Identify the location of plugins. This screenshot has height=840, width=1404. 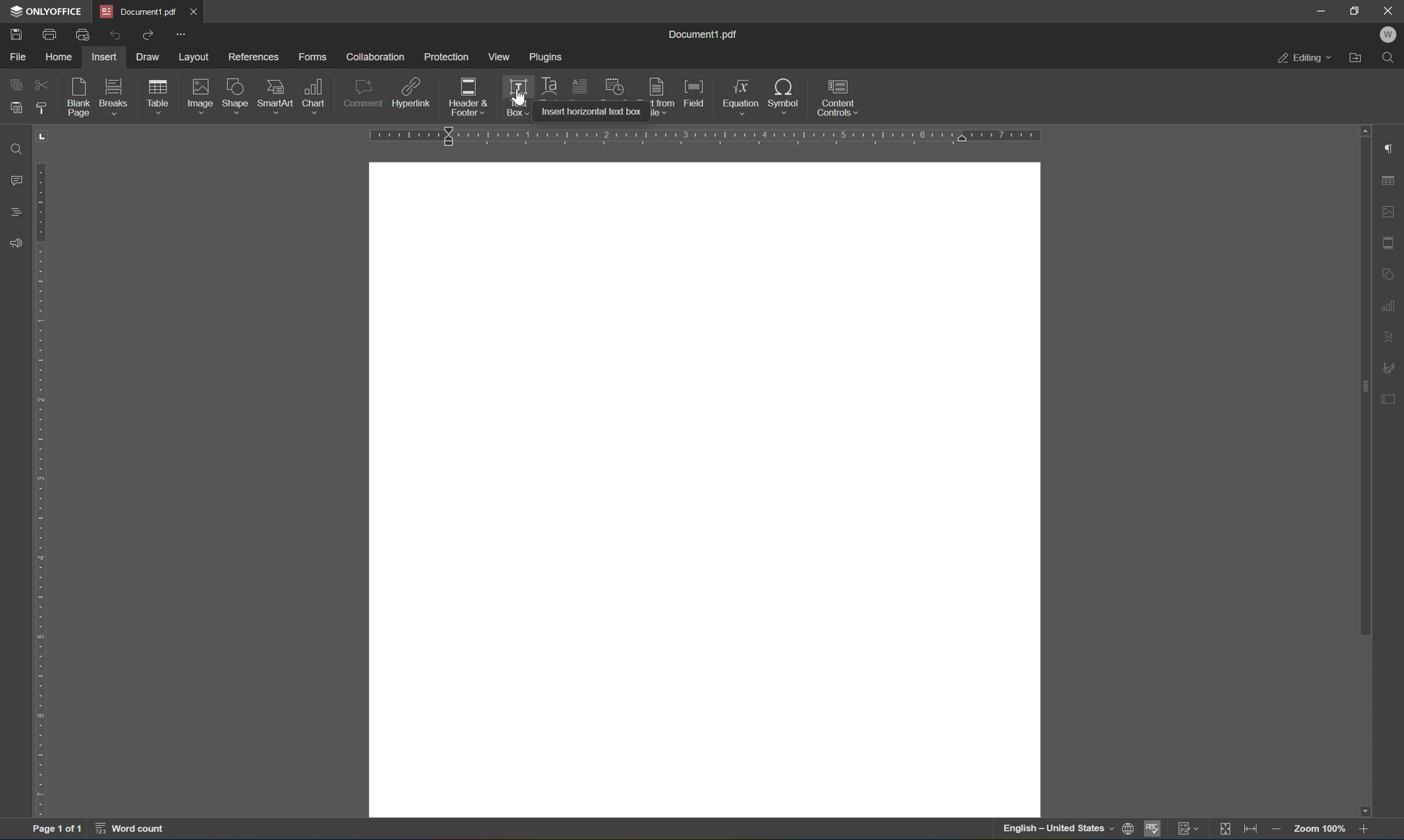
(547, 58).